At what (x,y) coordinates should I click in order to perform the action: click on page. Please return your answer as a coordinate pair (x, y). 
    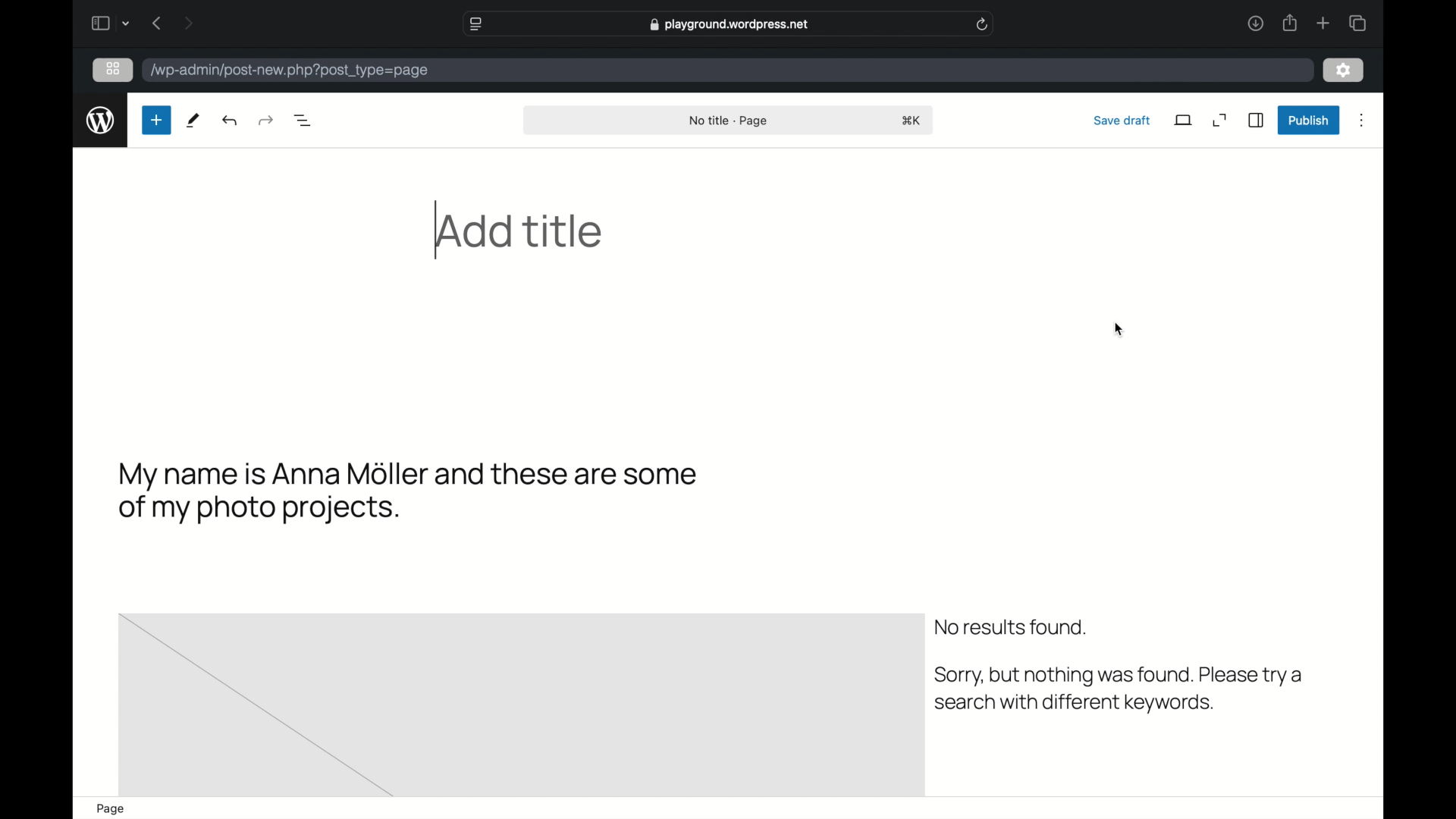
    Looking at the image, I should click on (111, 809).